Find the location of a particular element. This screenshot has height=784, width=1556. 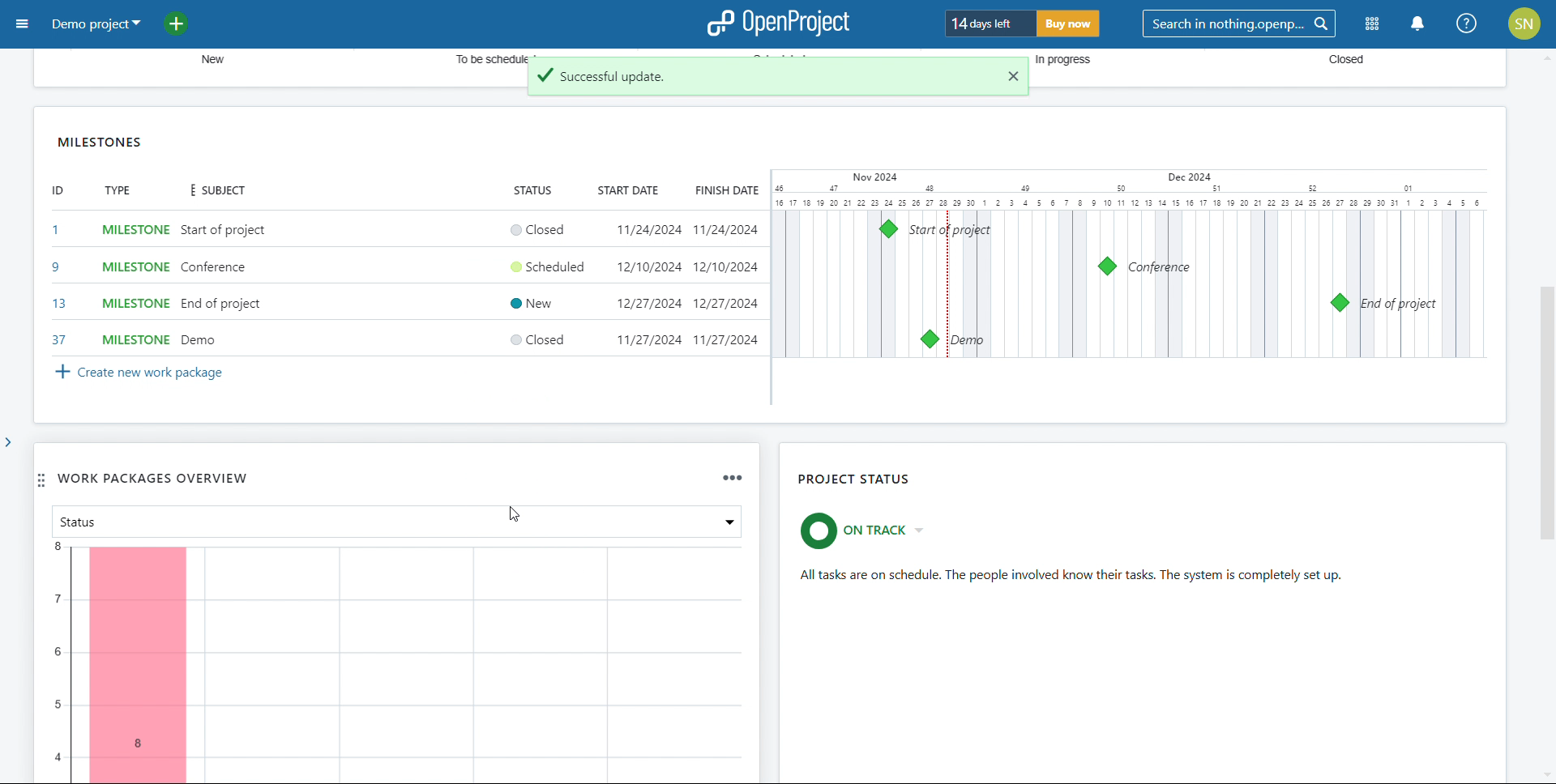

days left for trial is located at coordinates (989, 23).